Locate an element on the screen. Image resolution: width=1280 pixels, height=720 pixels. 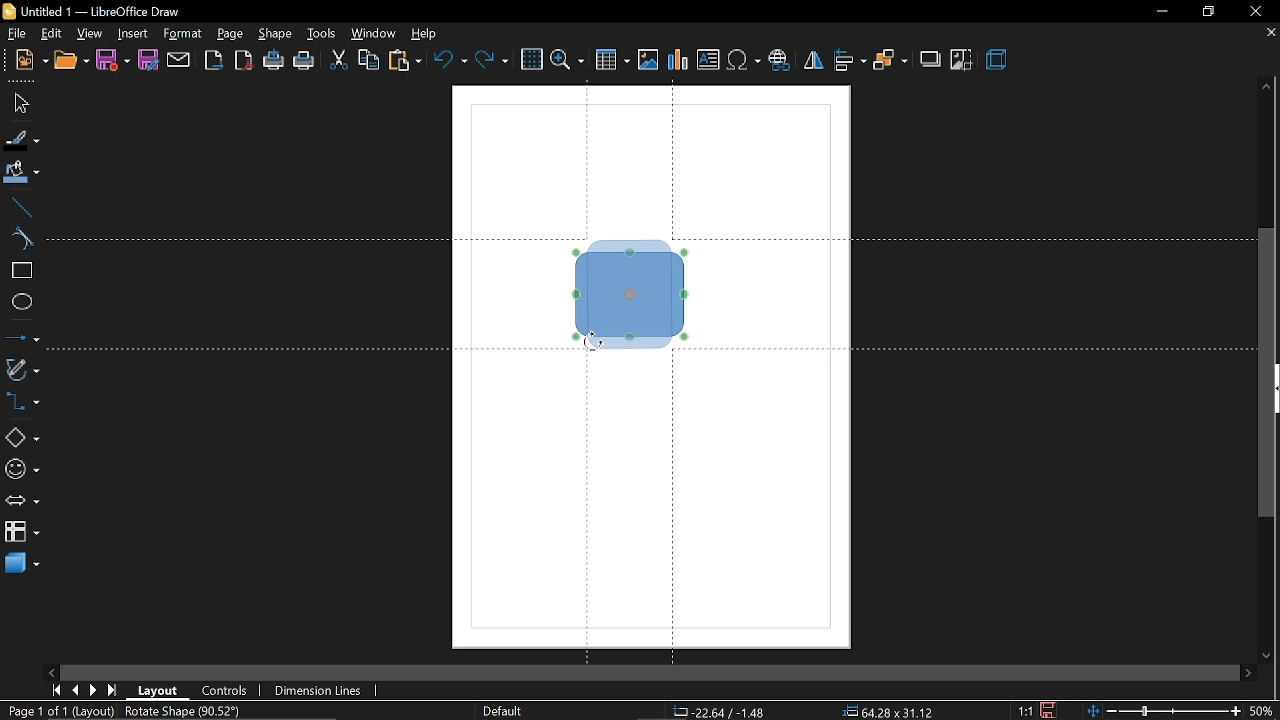
shadow is located at coordinates (929, 60).